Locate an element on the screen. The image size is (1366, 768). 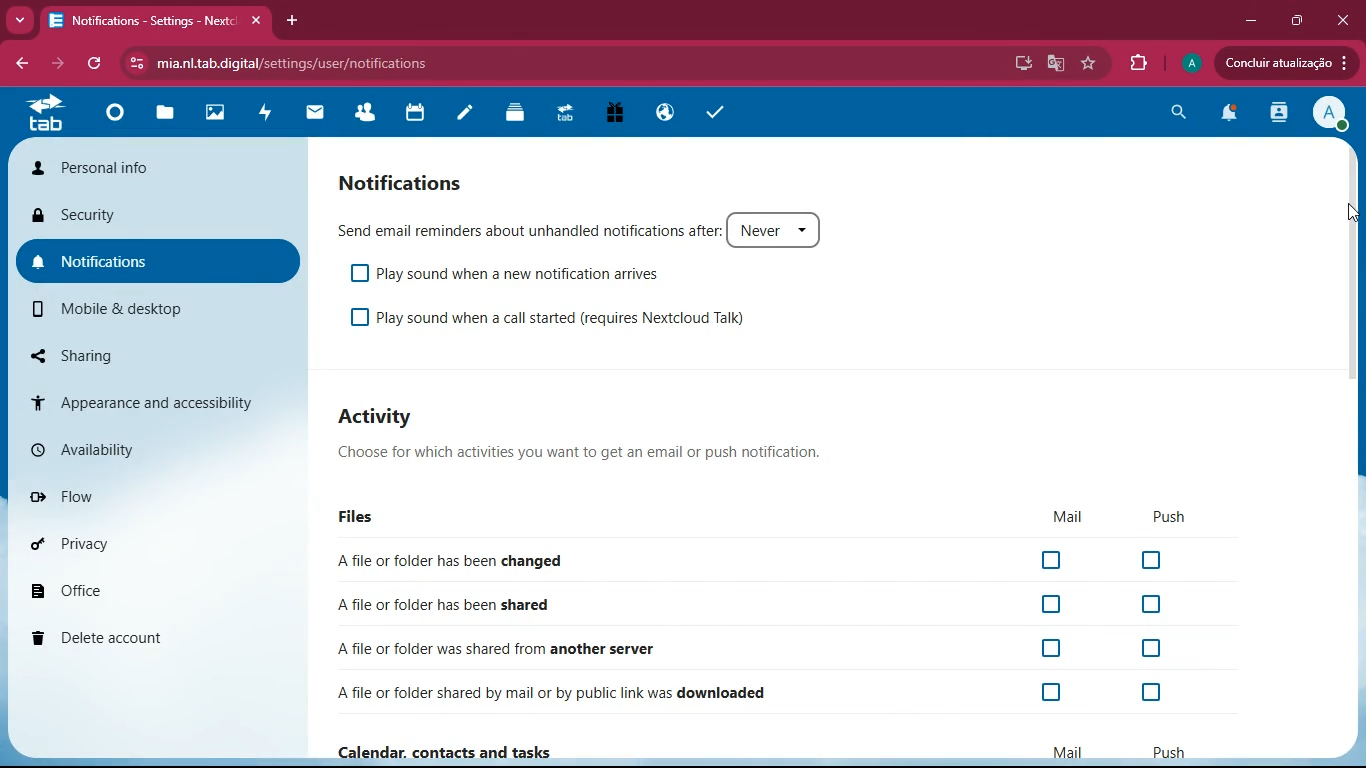
play sound when a new notification arrives is located at coordinates (513, 272).